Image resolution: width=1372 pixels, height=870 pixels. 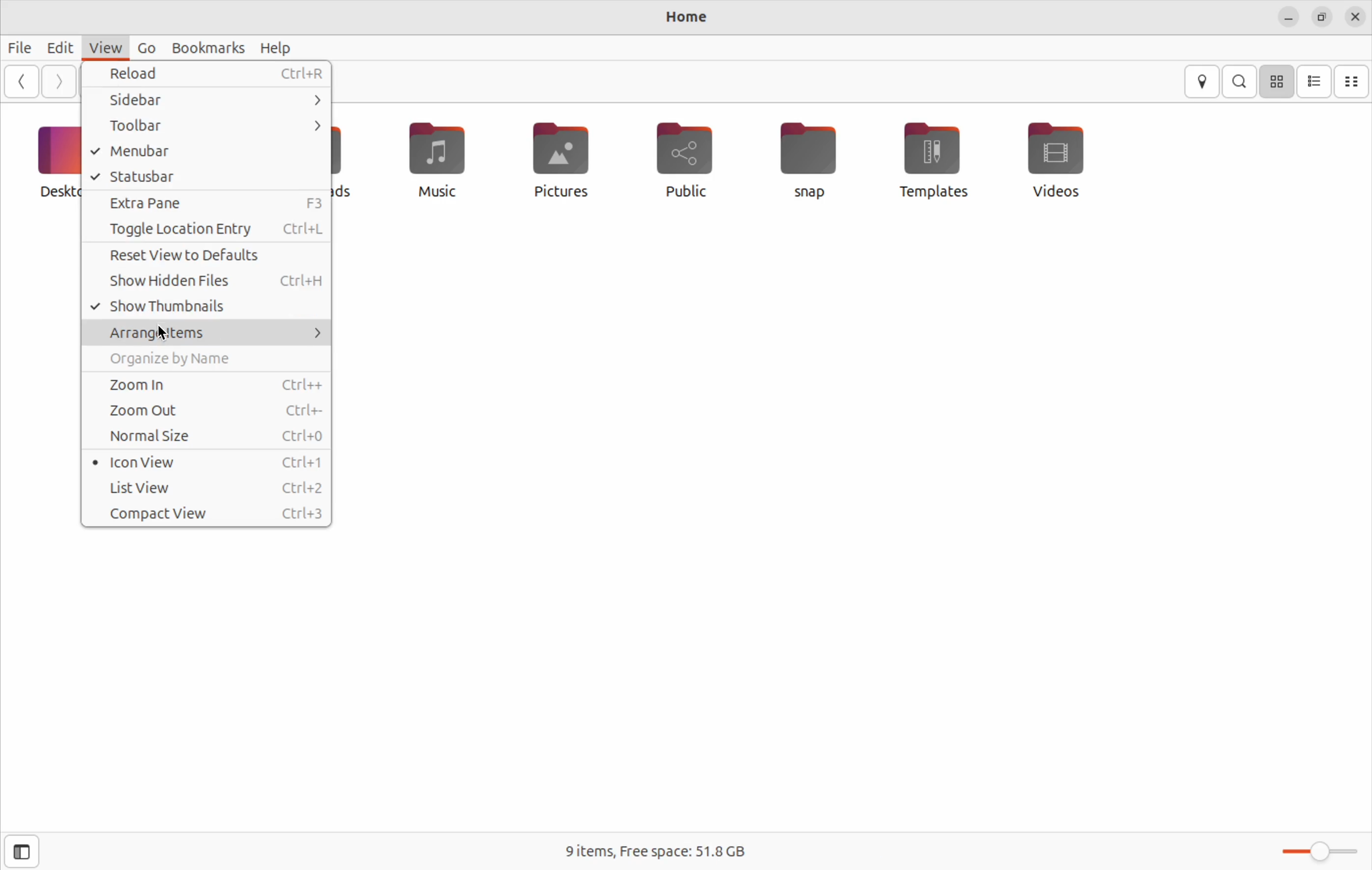 What do you see at coordinates (210, 358) in the screenshot?
I see `organize by names` at bounding box center [210, 358].